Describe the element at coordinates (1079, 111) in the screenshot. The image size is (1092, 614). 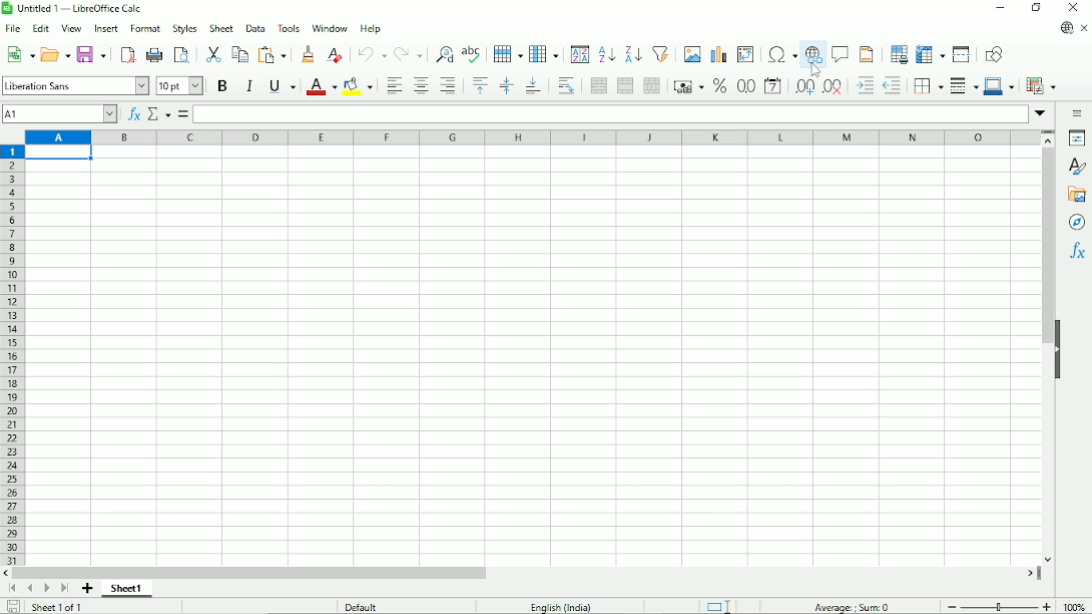
I see `Sidebar settings` at that location.